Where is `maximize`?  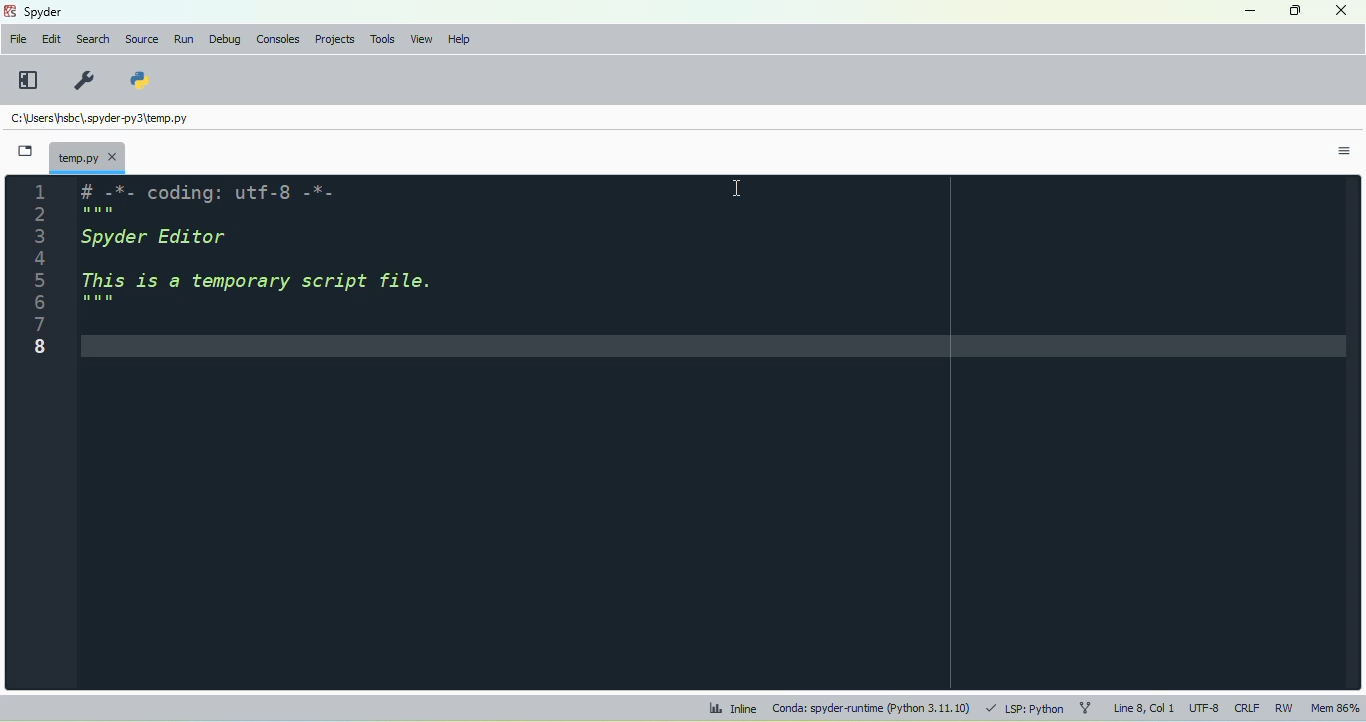
maximize is located at coordinates (1295, 10).